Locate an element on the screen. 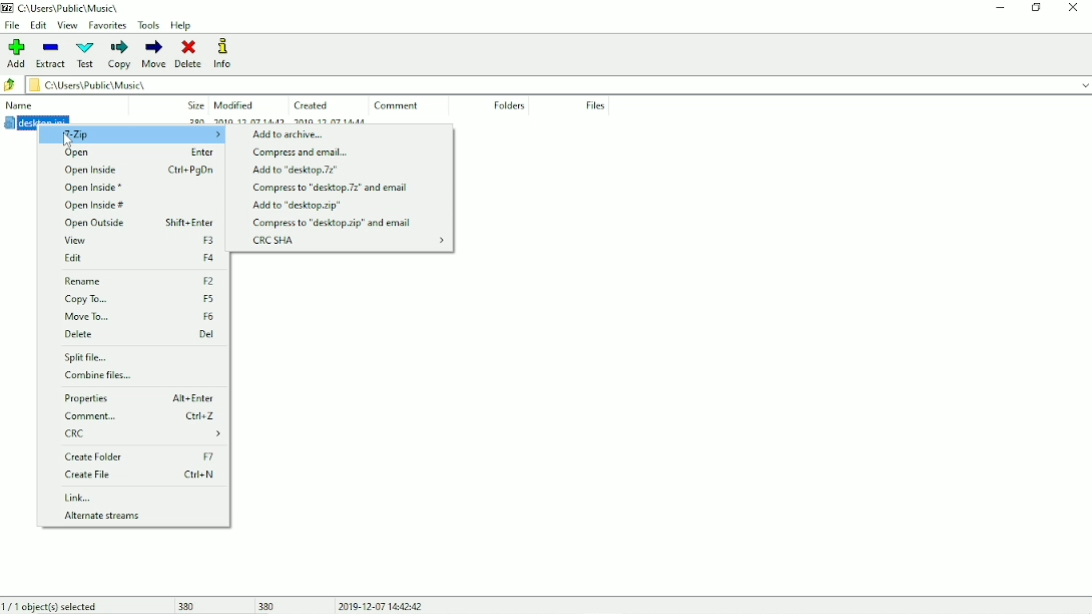  Files is located at coordinates (596, 105).